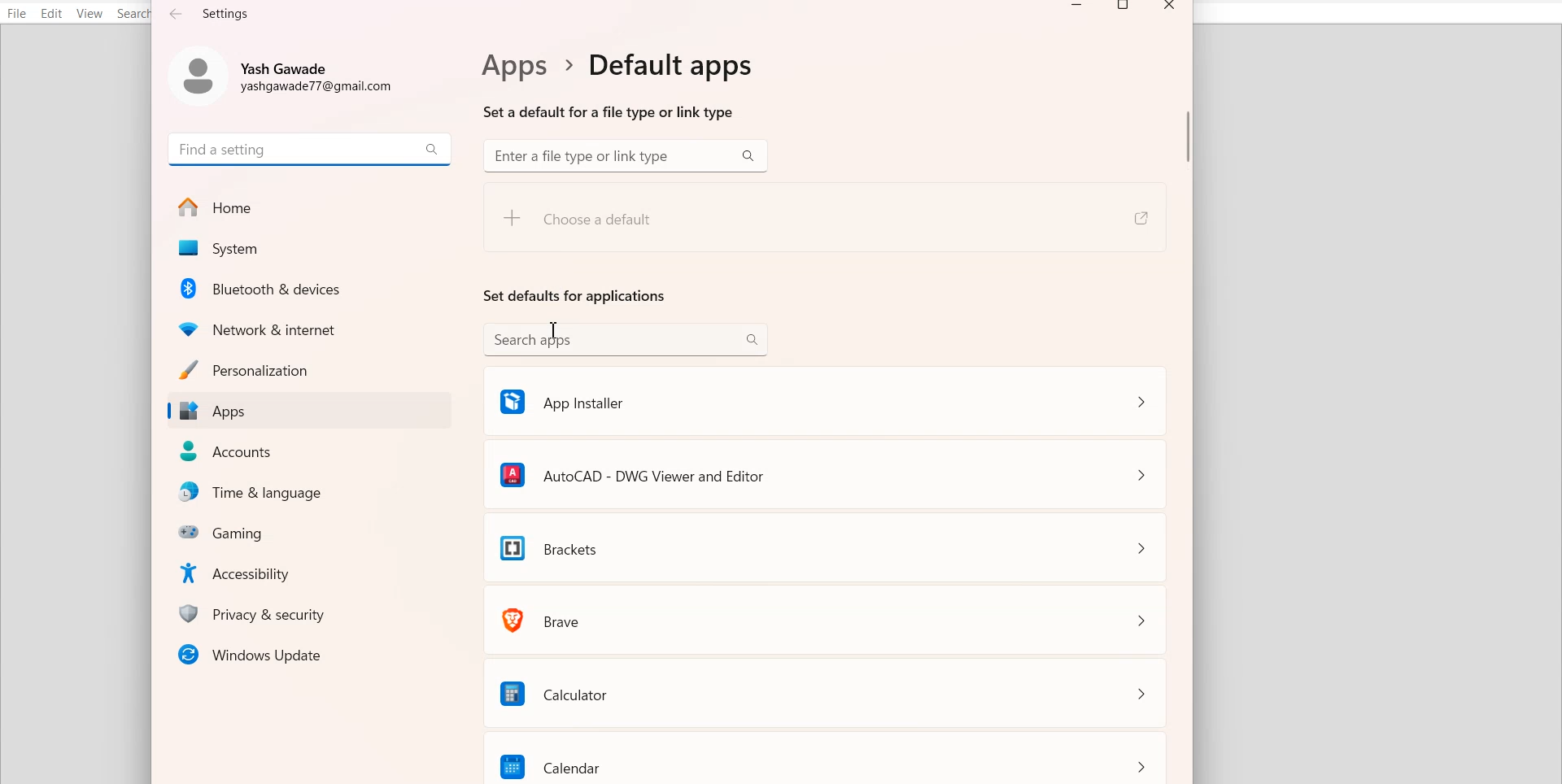 This screenshot has height=784, width=1562. What do you see at coordinates (1077, 8) in the screenshot?
I see `Minimize` at bounding box center [1077, 8].